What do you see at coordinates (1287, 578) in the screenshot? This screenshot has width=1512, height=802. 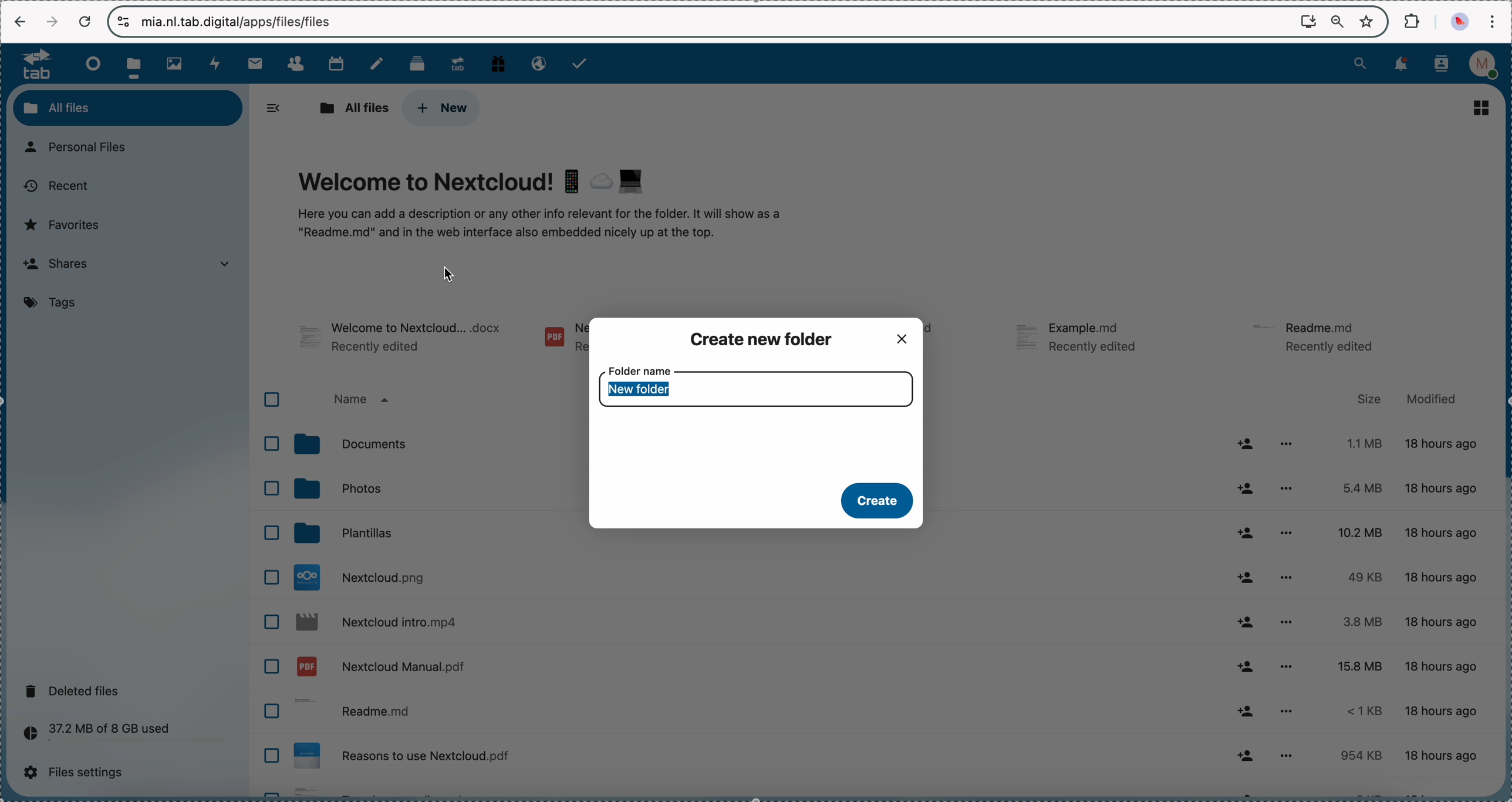 I see `more options` at bounding box center [1287, 578].